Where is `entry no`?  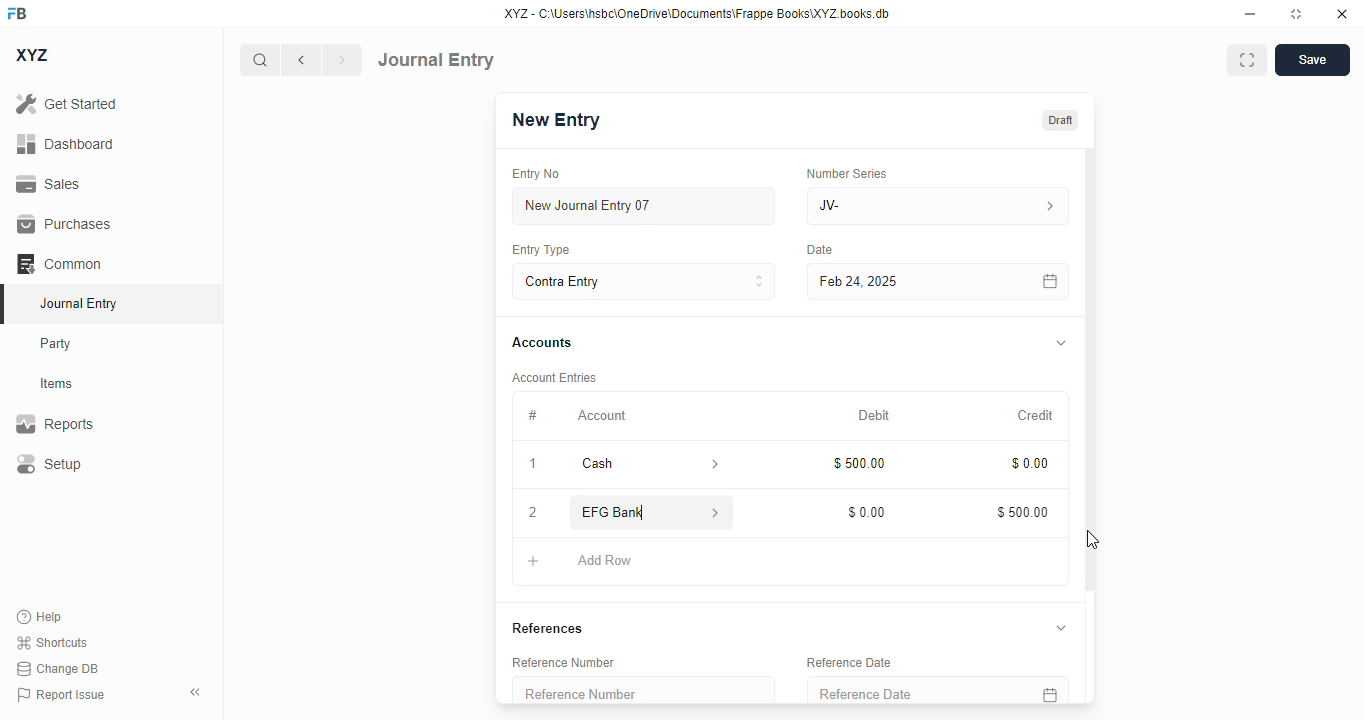 entry no is located at coordinates (537, 173).